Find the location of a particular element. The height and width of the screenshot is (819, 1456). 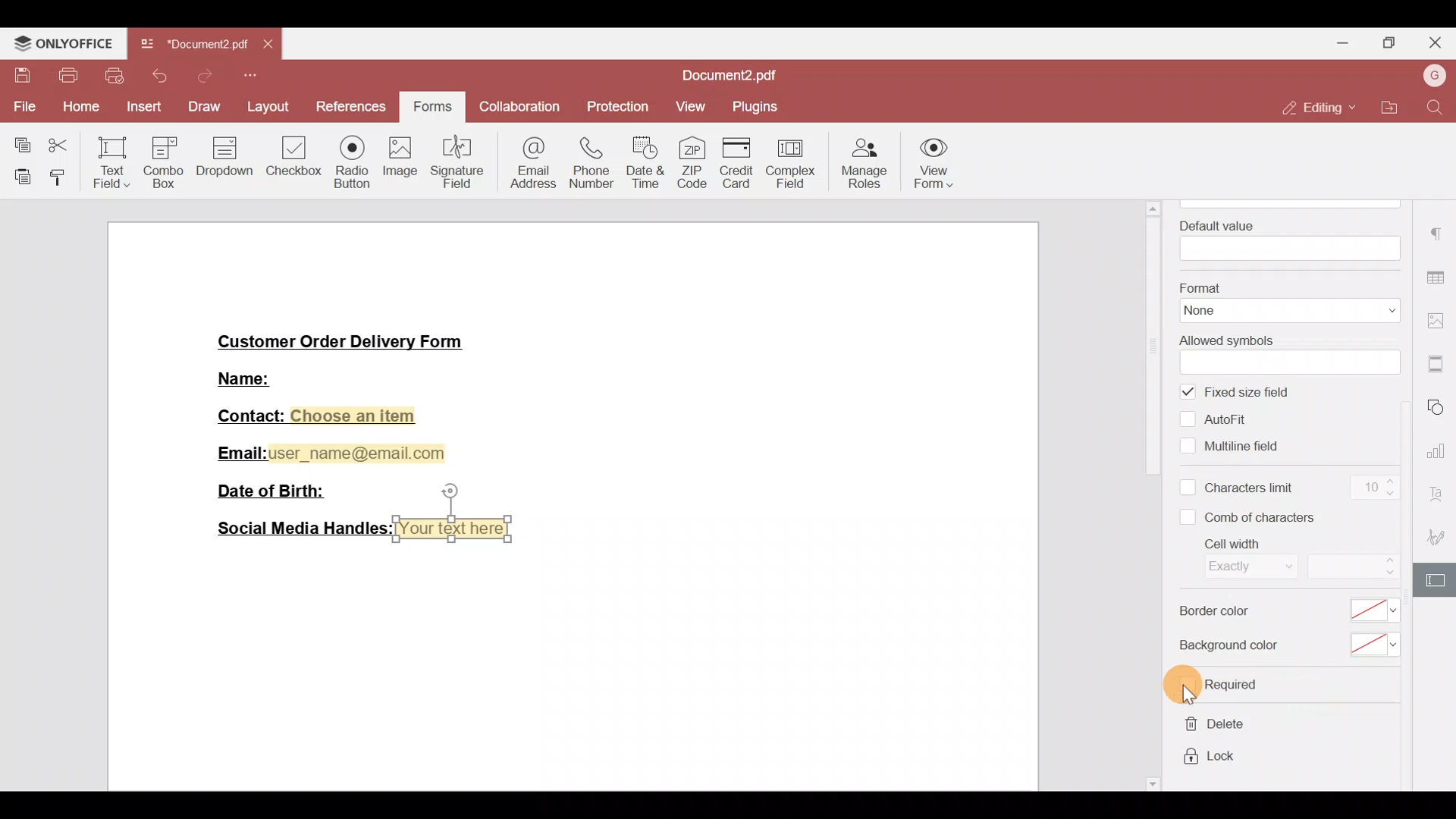

View form is located at coordinates (941, 161).